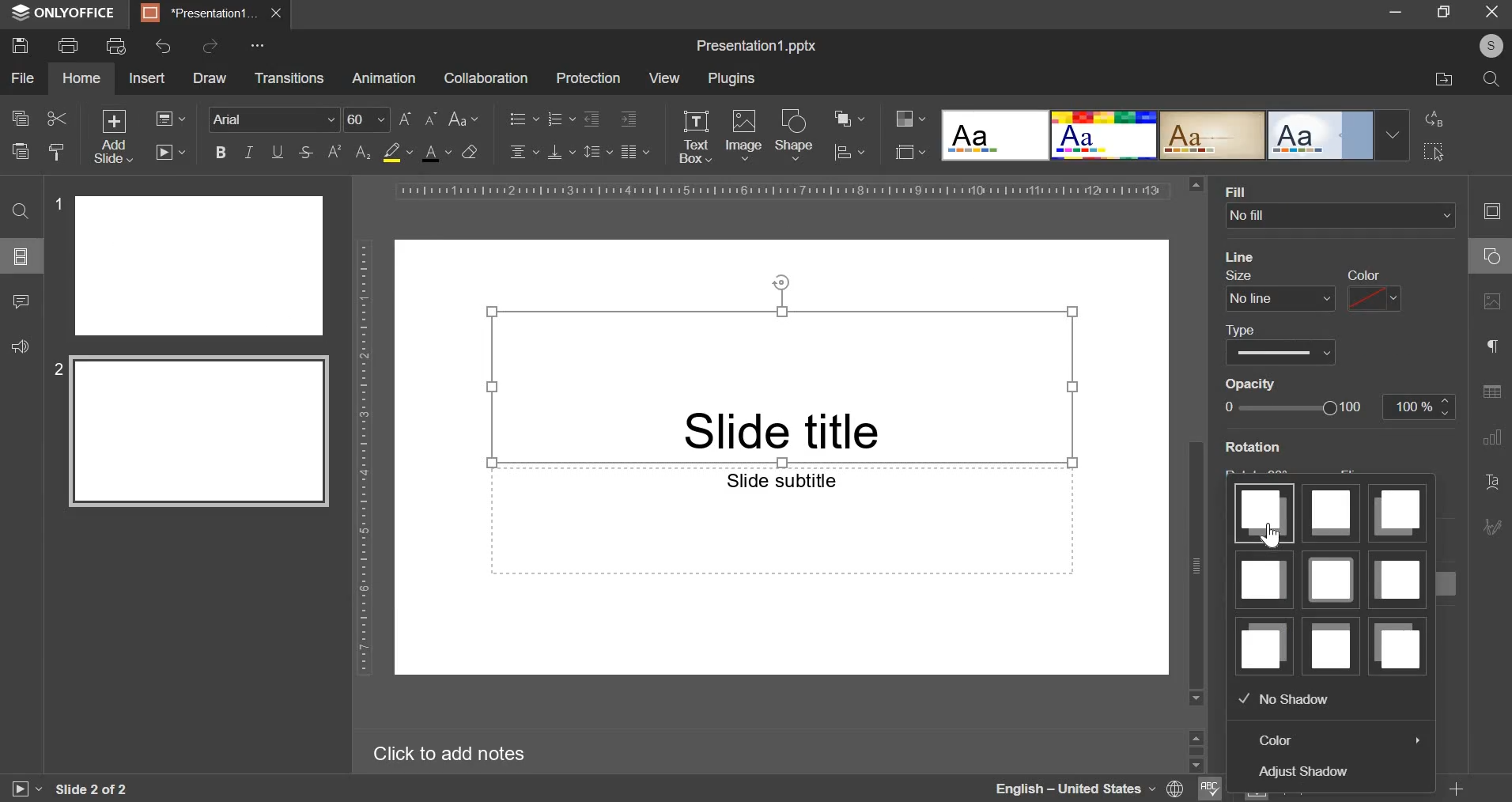  I want to click on check spell, so click(1208, 789).